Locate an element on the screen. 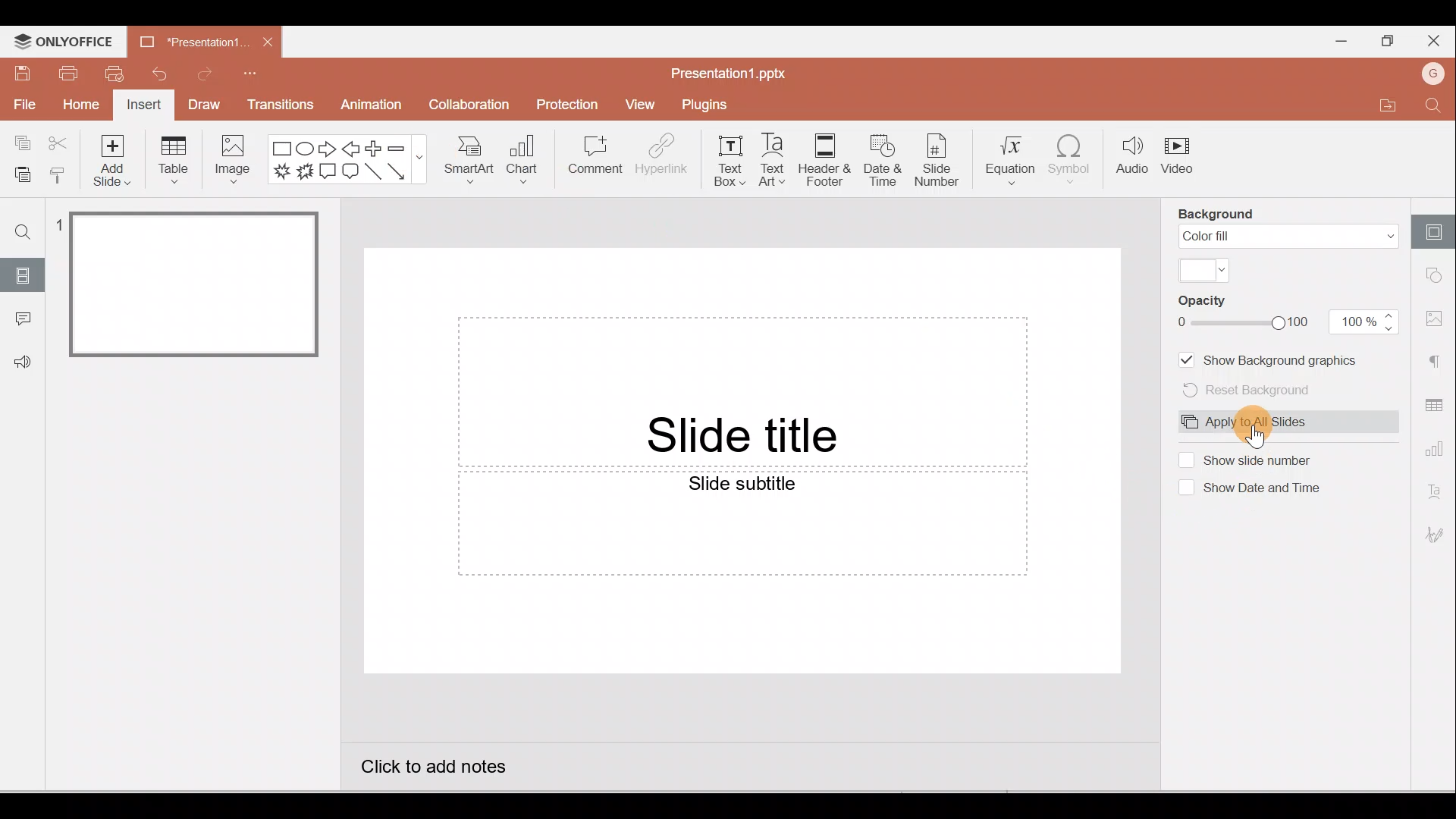  Account name is located at coordinates (1436, 74).